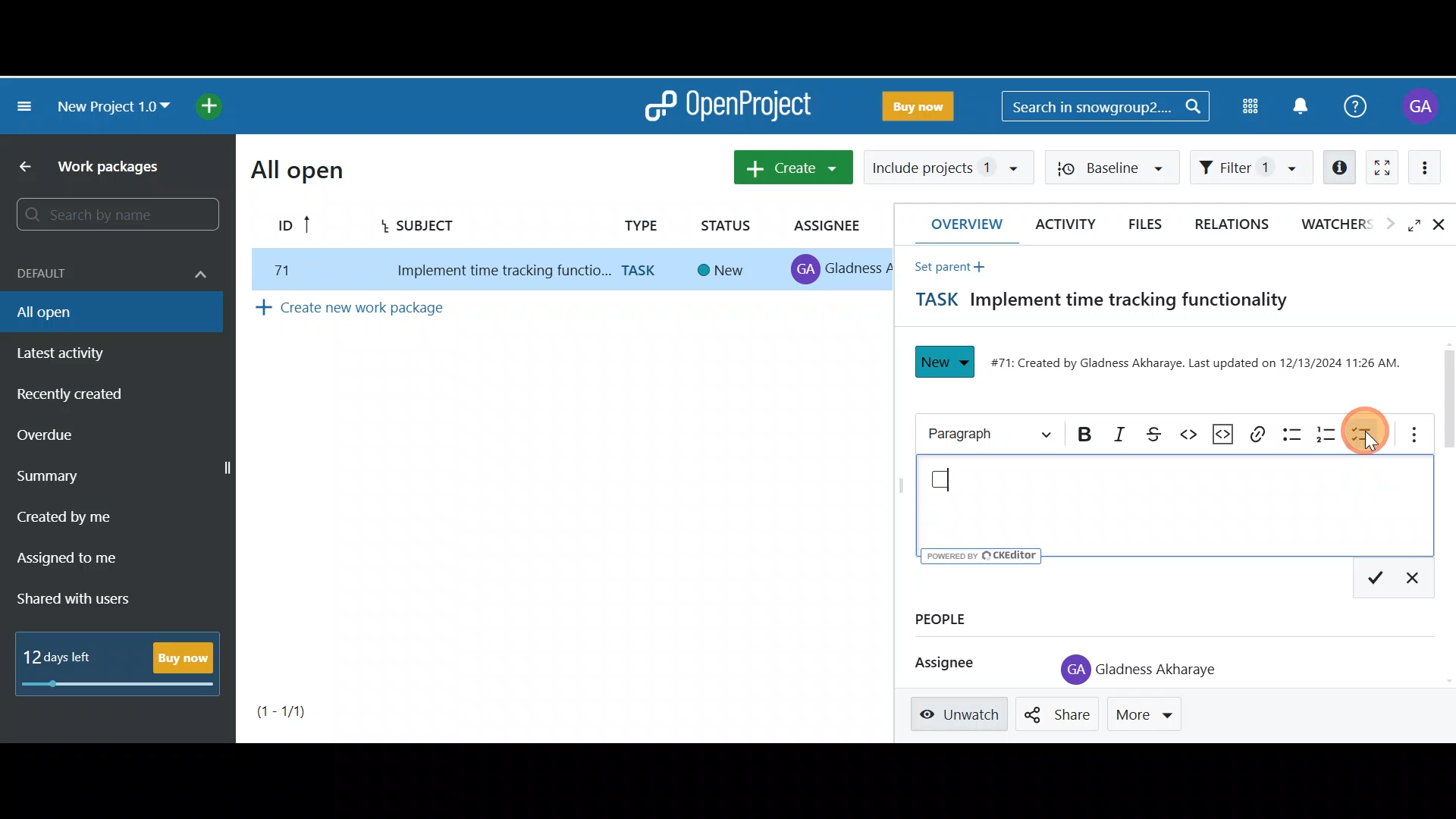 The image size is (1456, 819). What do you see at coordinates (860, 268) in the screenshot?
I see `gladness A` at bounding box center [860, 268].